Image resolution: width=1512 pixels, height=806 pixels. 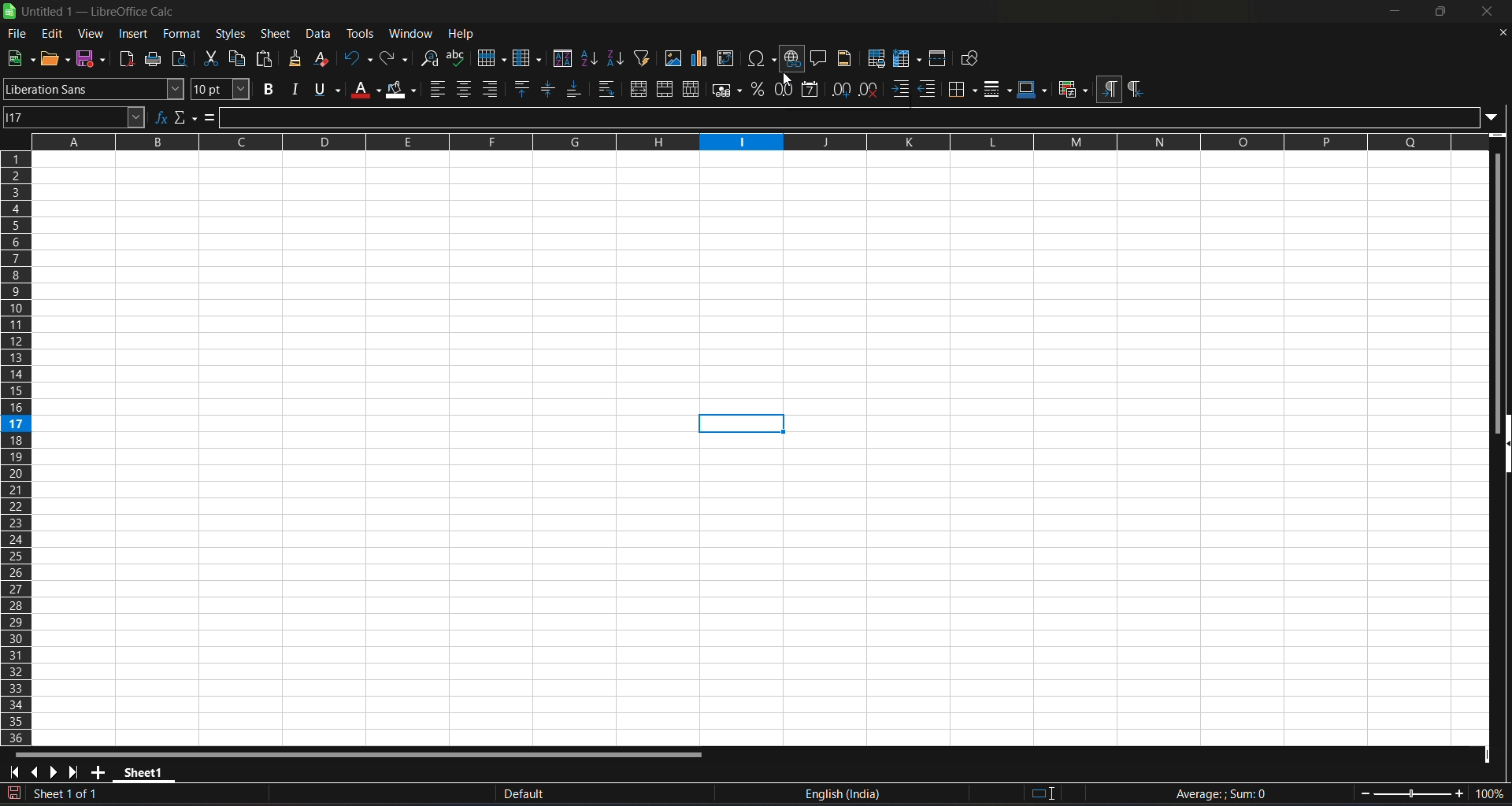 I want to click on remove decimal place, so click(x=870, y=90).